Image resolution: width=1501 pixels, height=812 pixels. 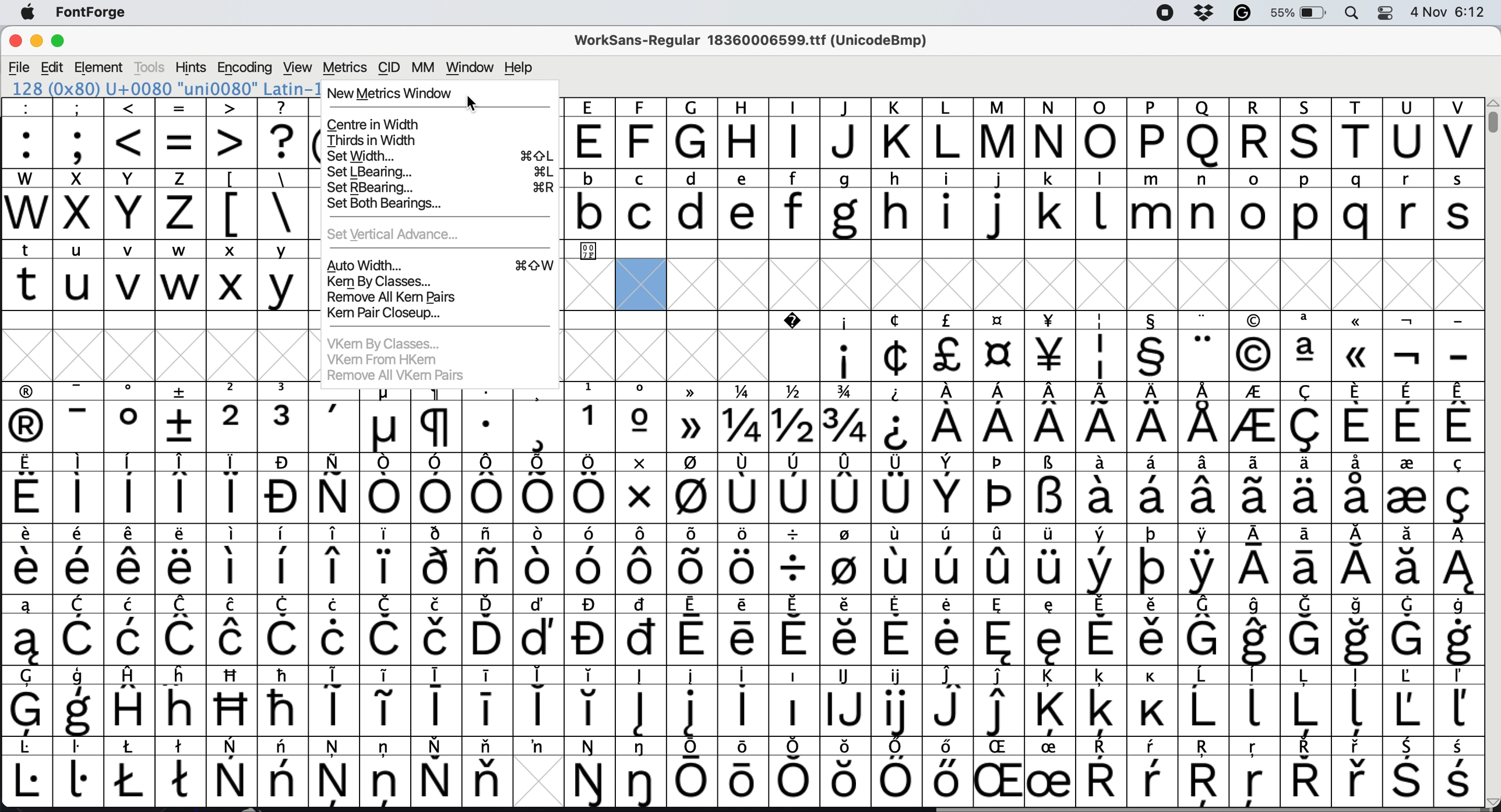 I want to click on system logo, so click(x=28, y=12).